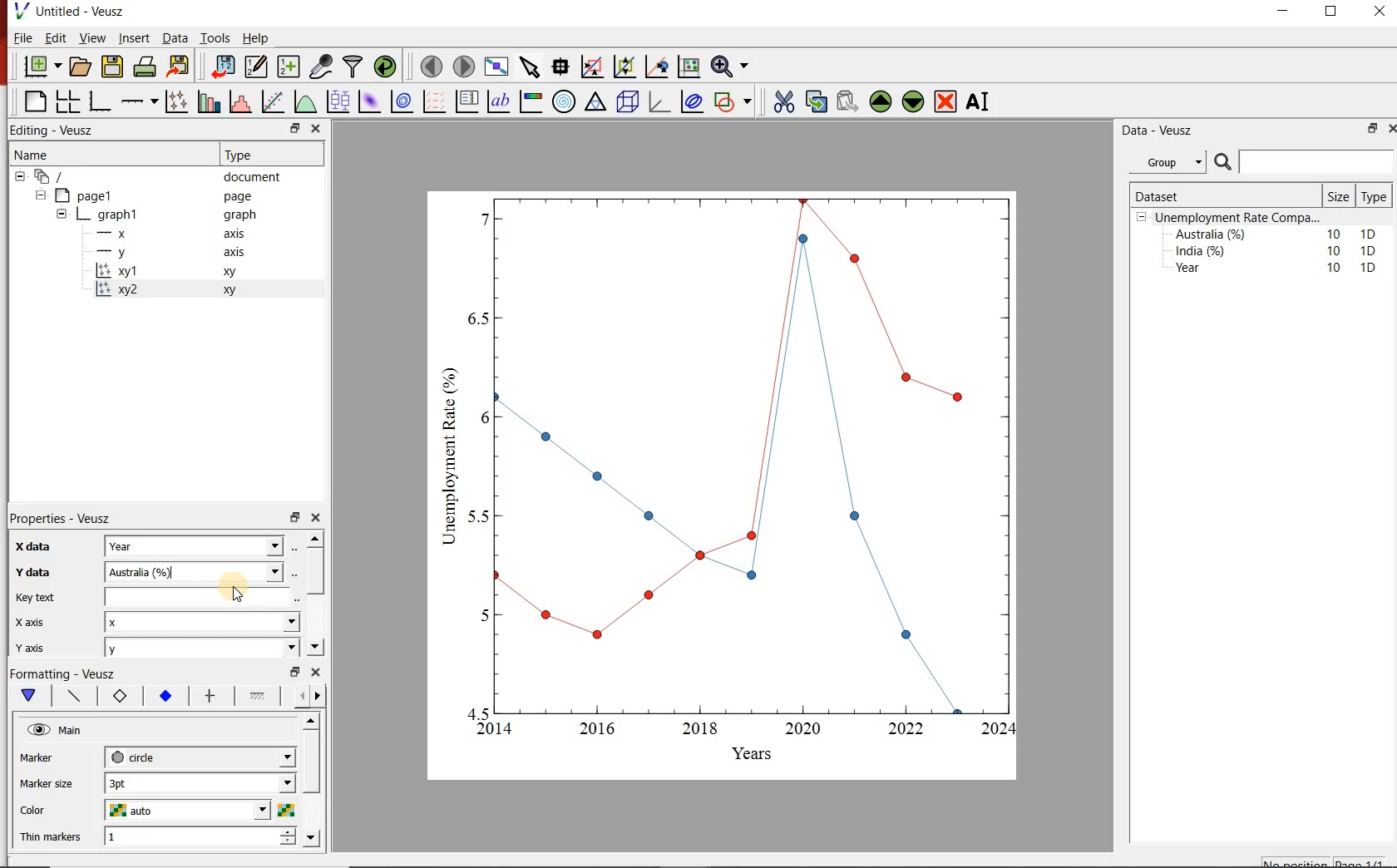 The height and width of the screenshot is (868, 1397). Describe the element at coordinates (312, 776) in the screenshot. I see `scroll bar` at that location.